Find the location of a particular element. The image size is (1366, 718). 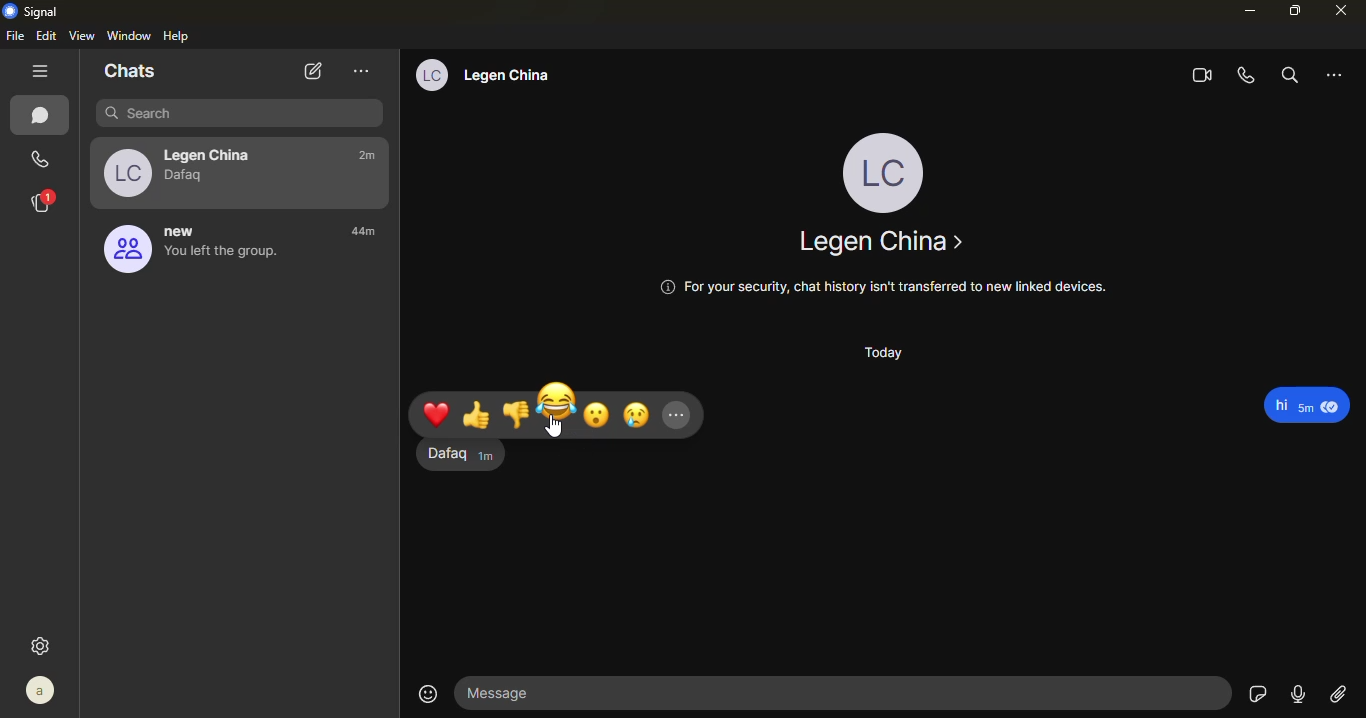

close is located at coordinates (1344, 10).